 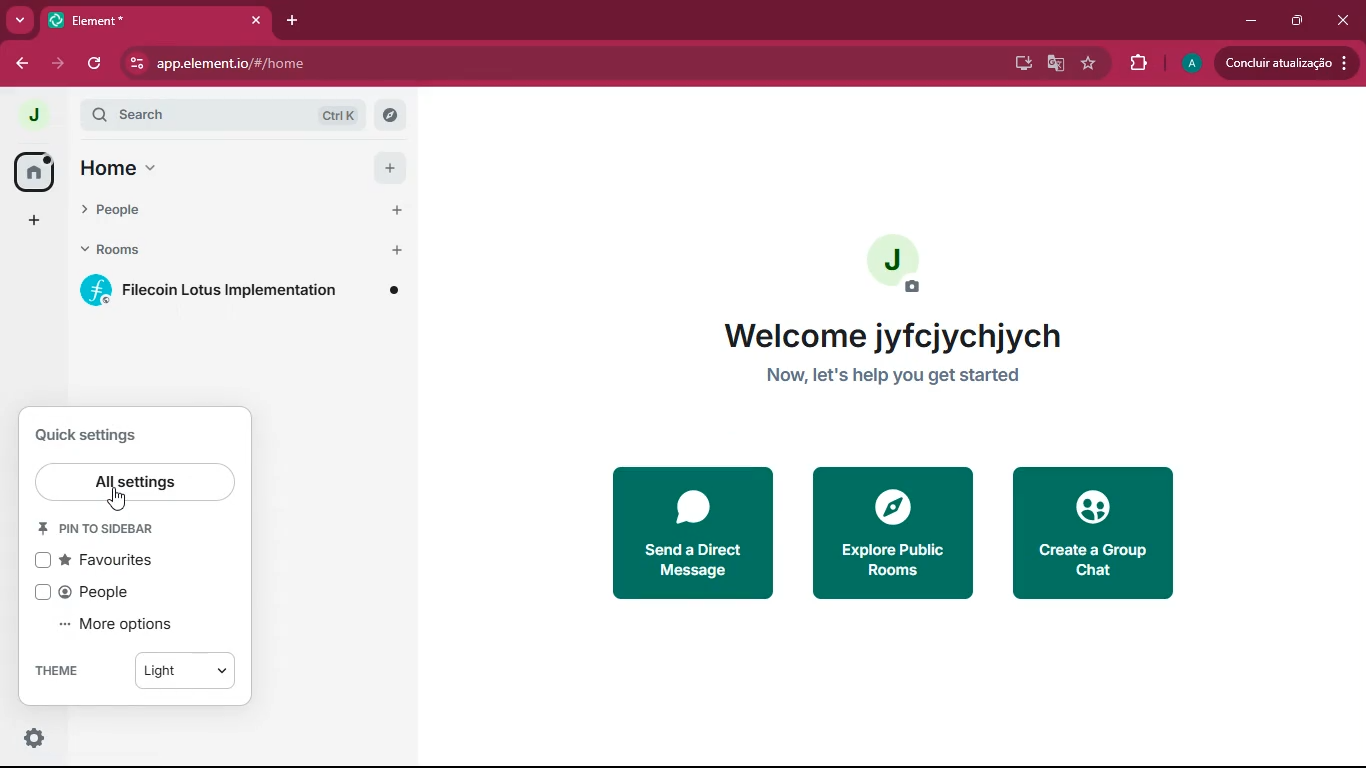 What do you see at coordinates (96, 434) in the screenshot?
I see `quick settings` at bounding box center [96, 434].